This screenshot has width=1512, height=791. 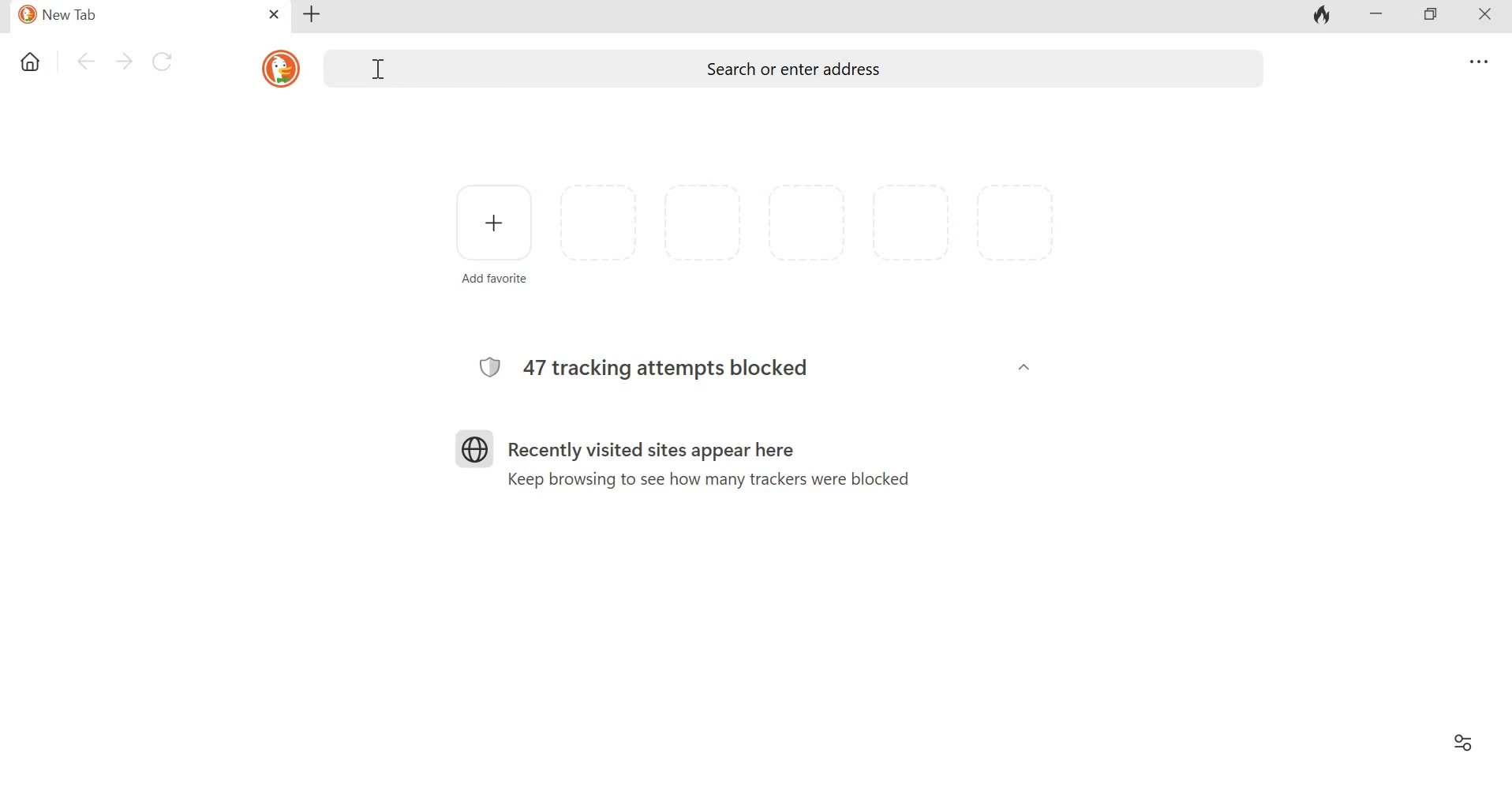 I want to click on Search or enter address, so click(x=792, y=70).